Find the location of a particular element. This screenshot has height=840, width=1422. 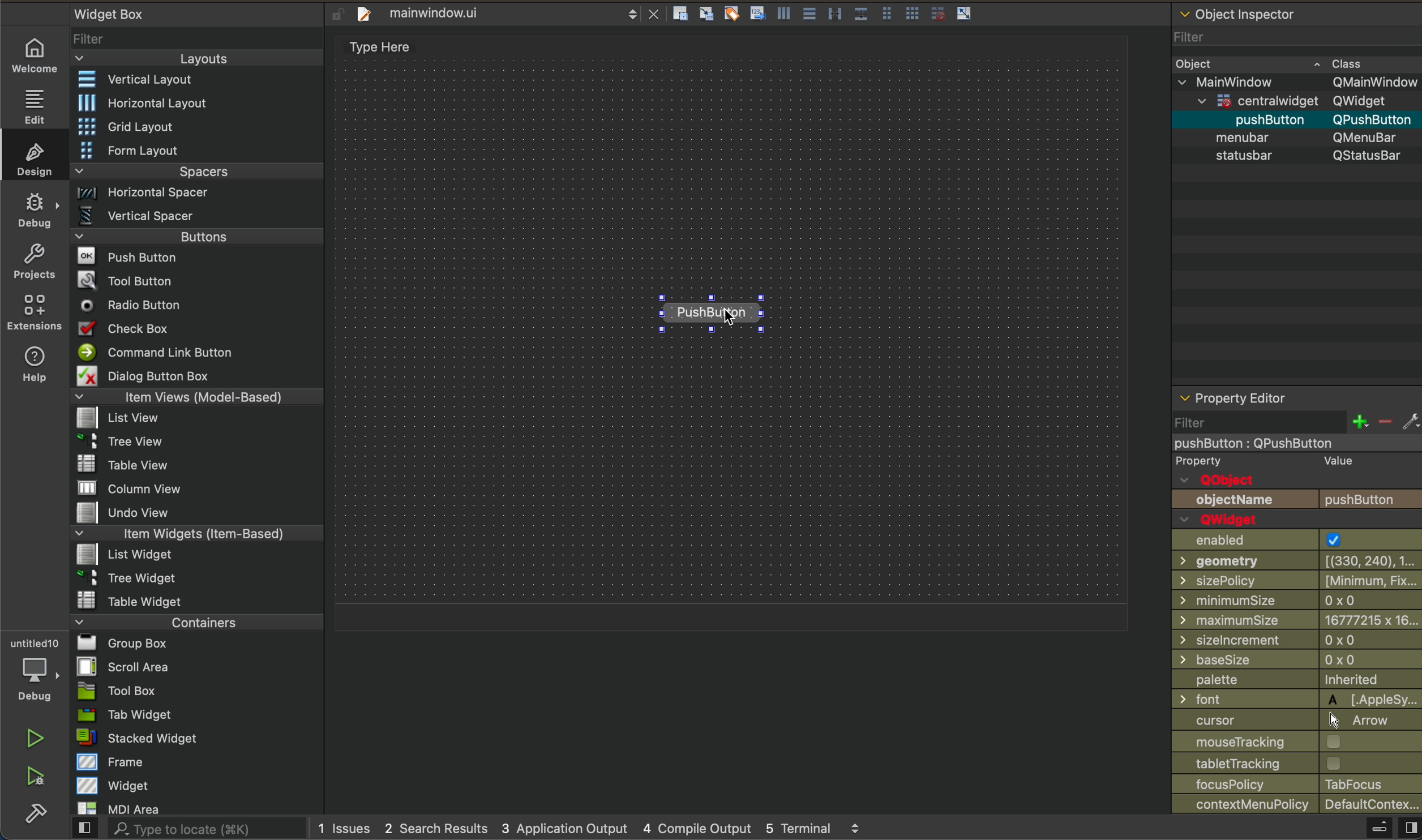

mouse is located at coordinates (1297, 742).